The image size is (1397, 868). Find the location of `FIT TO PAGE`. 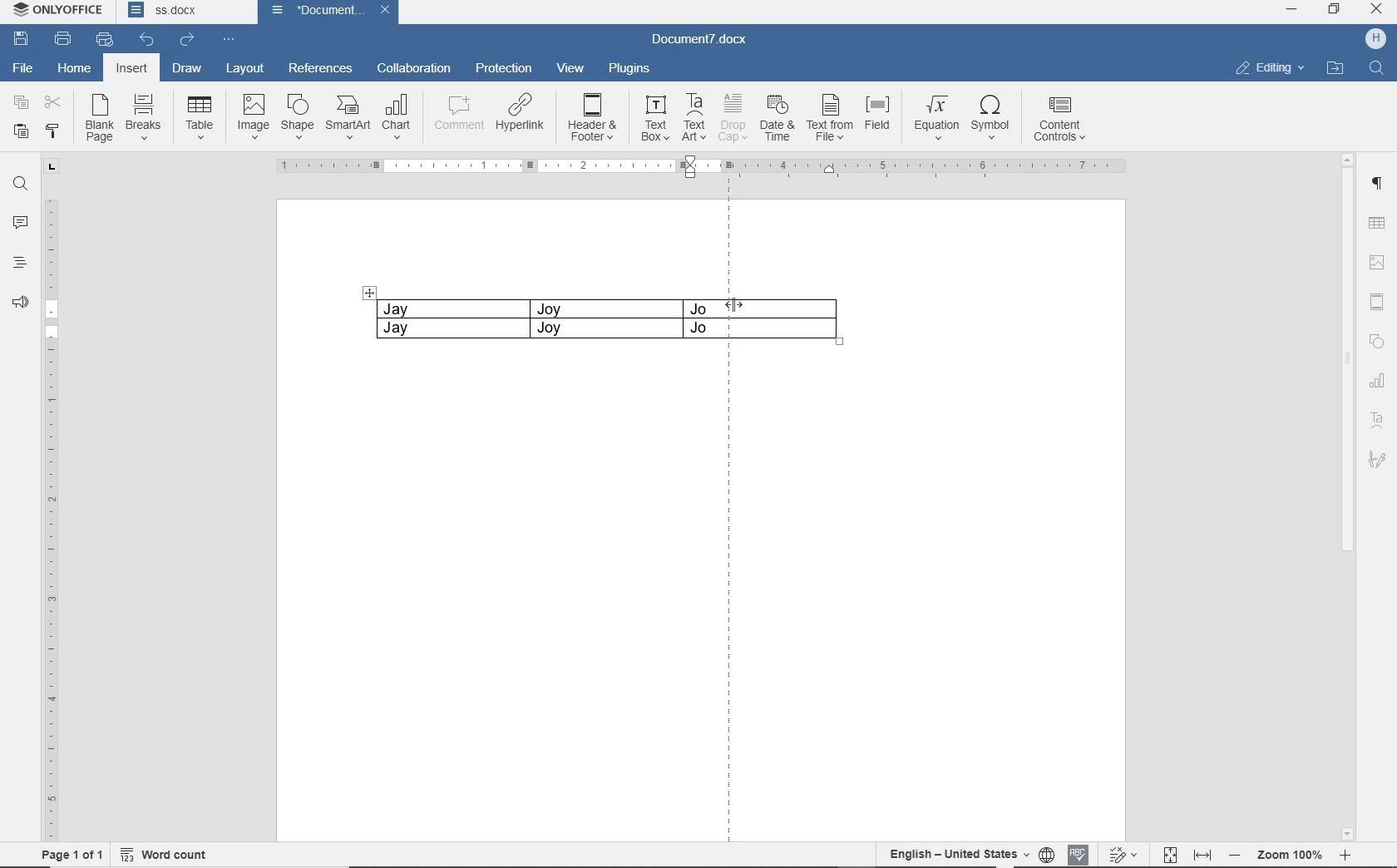

FIT TO PAGE is located at coordinates (1171, 852).